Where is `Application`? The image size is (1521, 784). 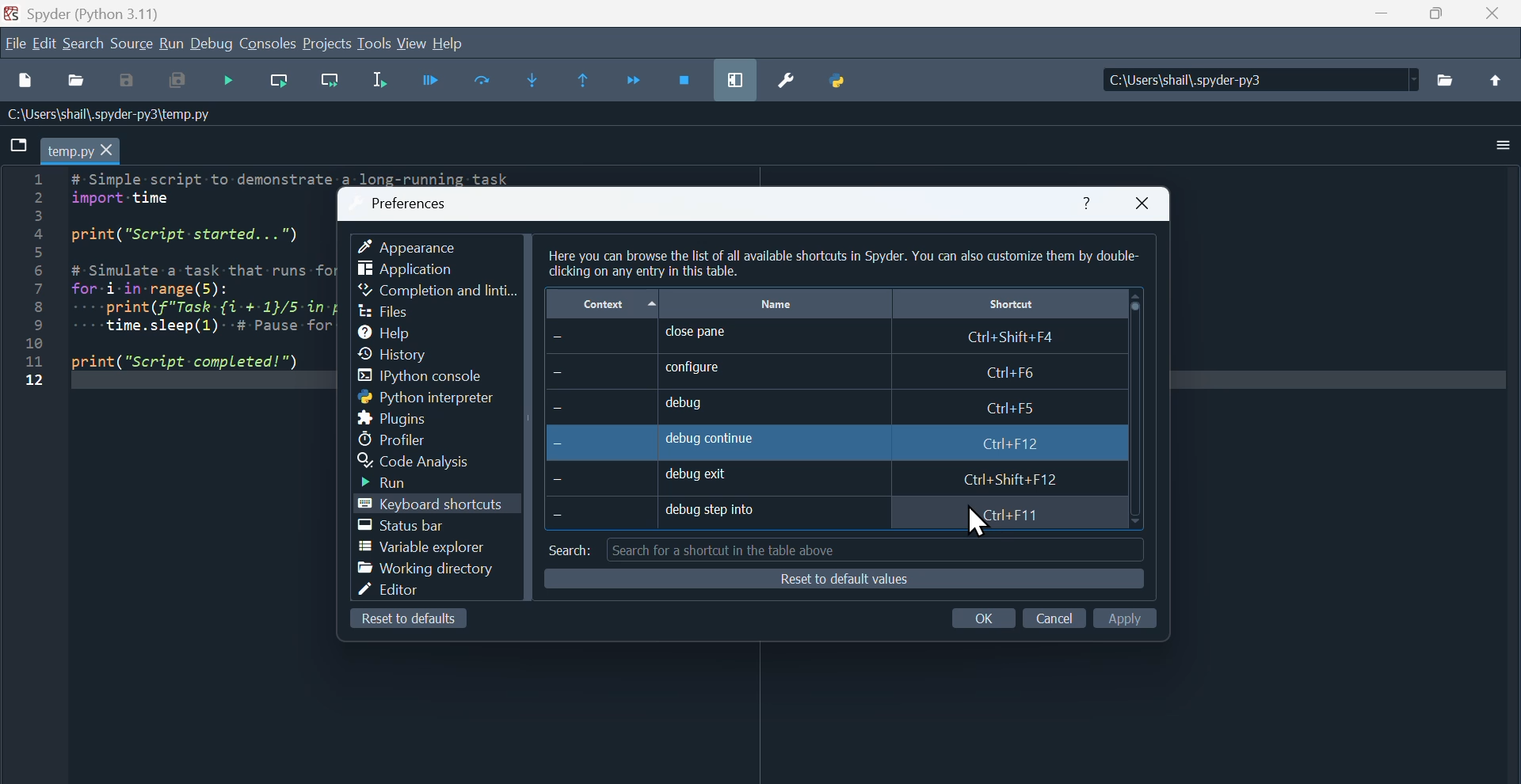 Application is located at coordinates (407, 270).